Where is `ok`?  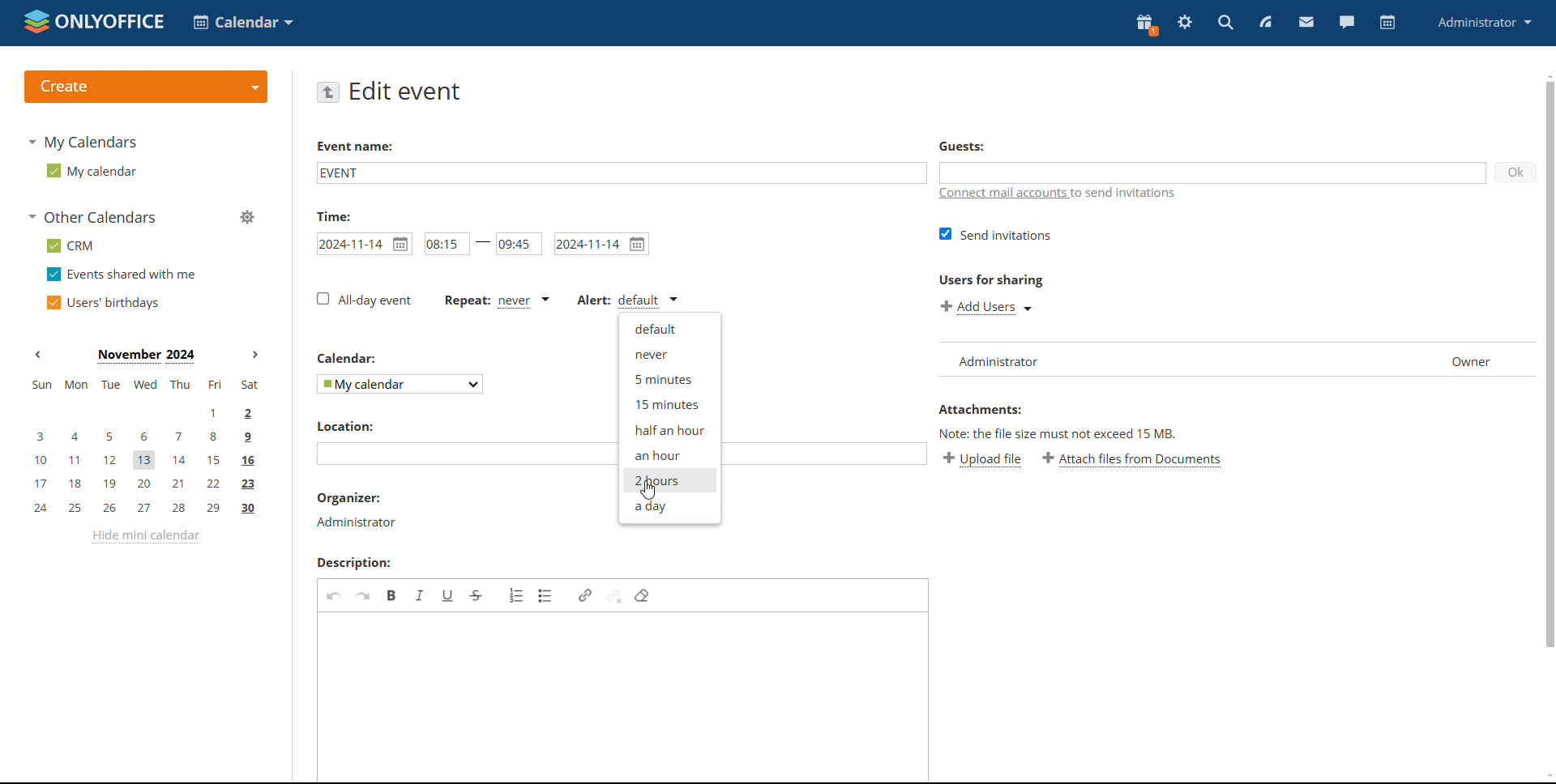 ok is located at coordinates (1516, 172).